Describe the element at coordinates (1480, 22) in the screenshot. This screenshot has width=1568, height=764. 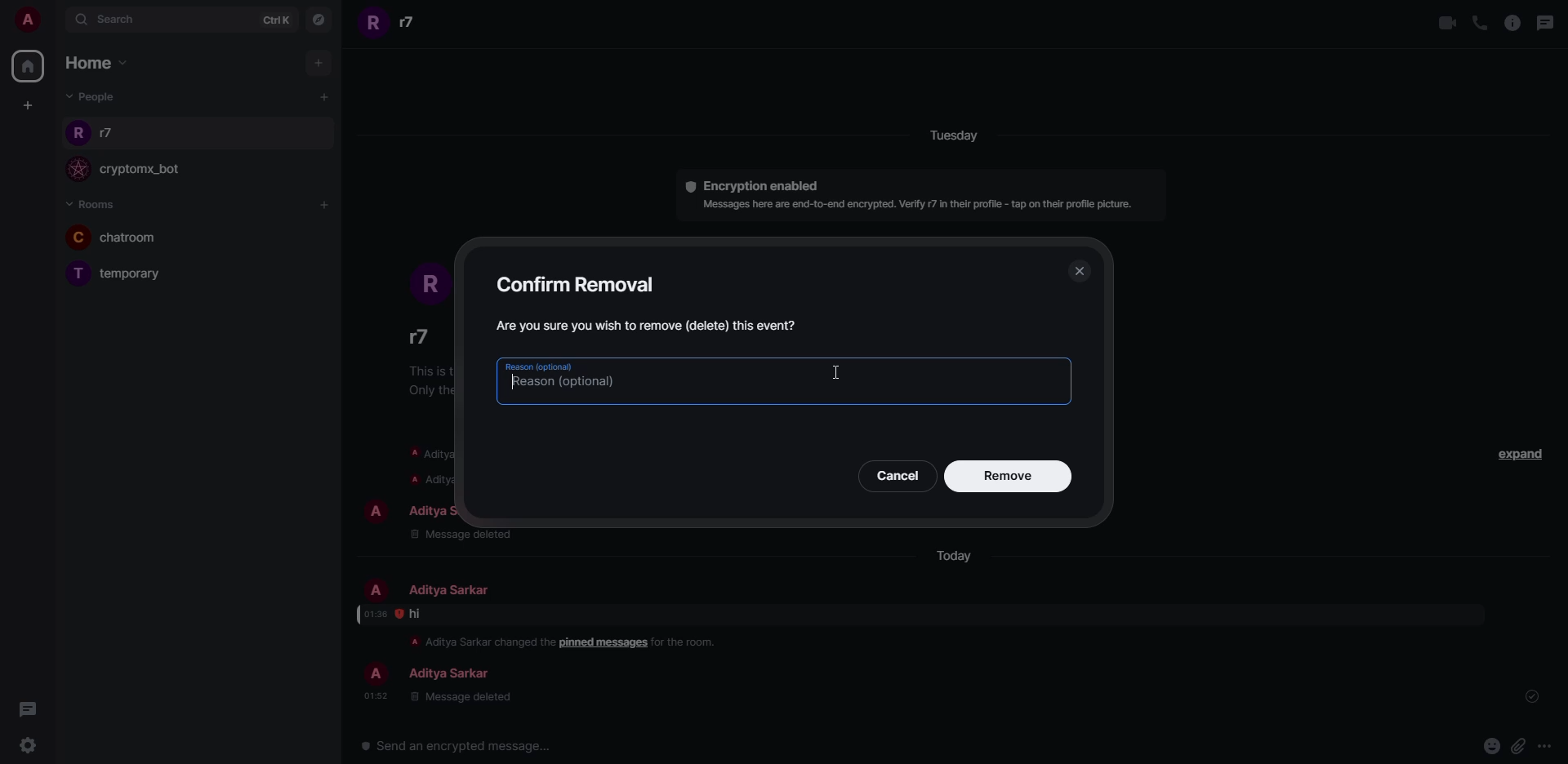
I see `voice call` at that location.